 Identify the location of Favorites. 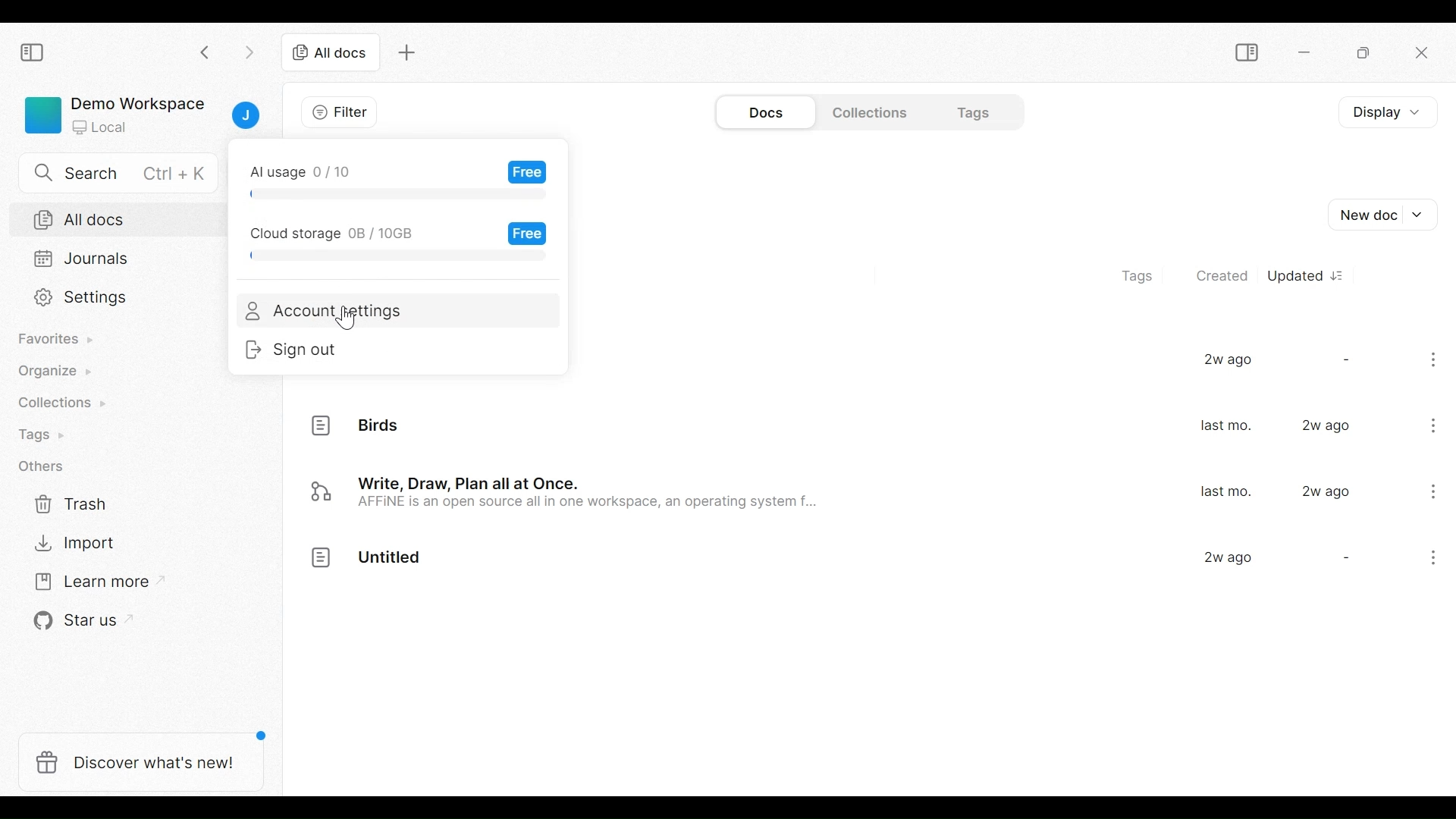
(58, 340).